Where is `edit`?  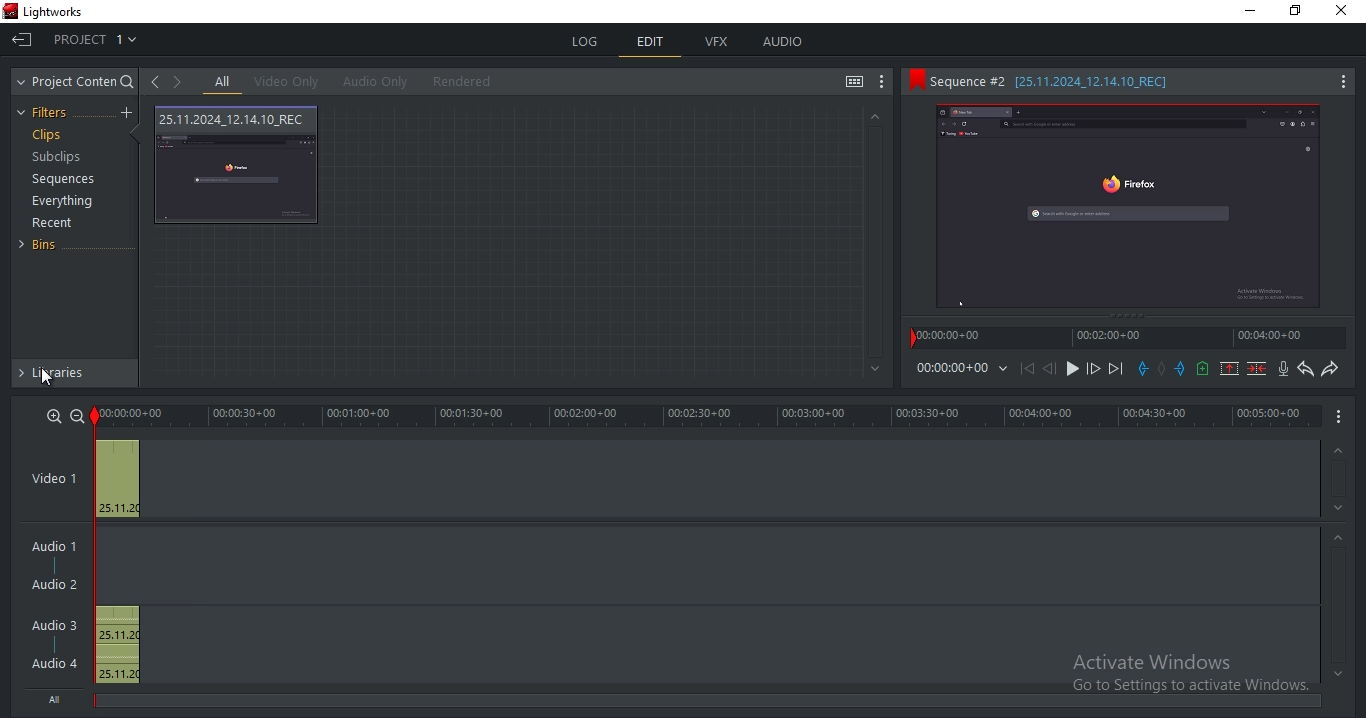 edit is located at coordinates (651, 44).